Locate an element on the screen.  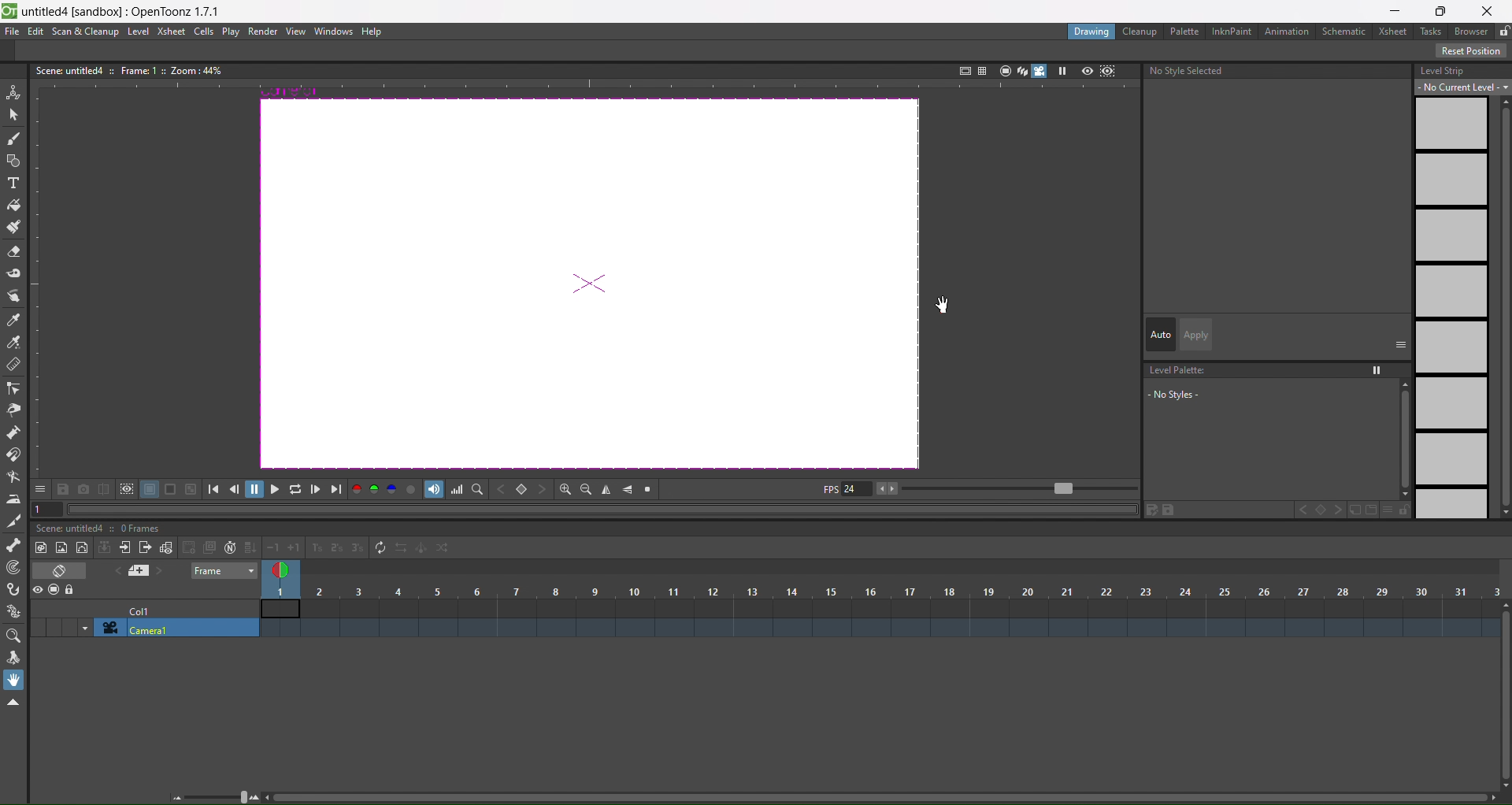
close sub sheet is located at coordinates (145, 549).